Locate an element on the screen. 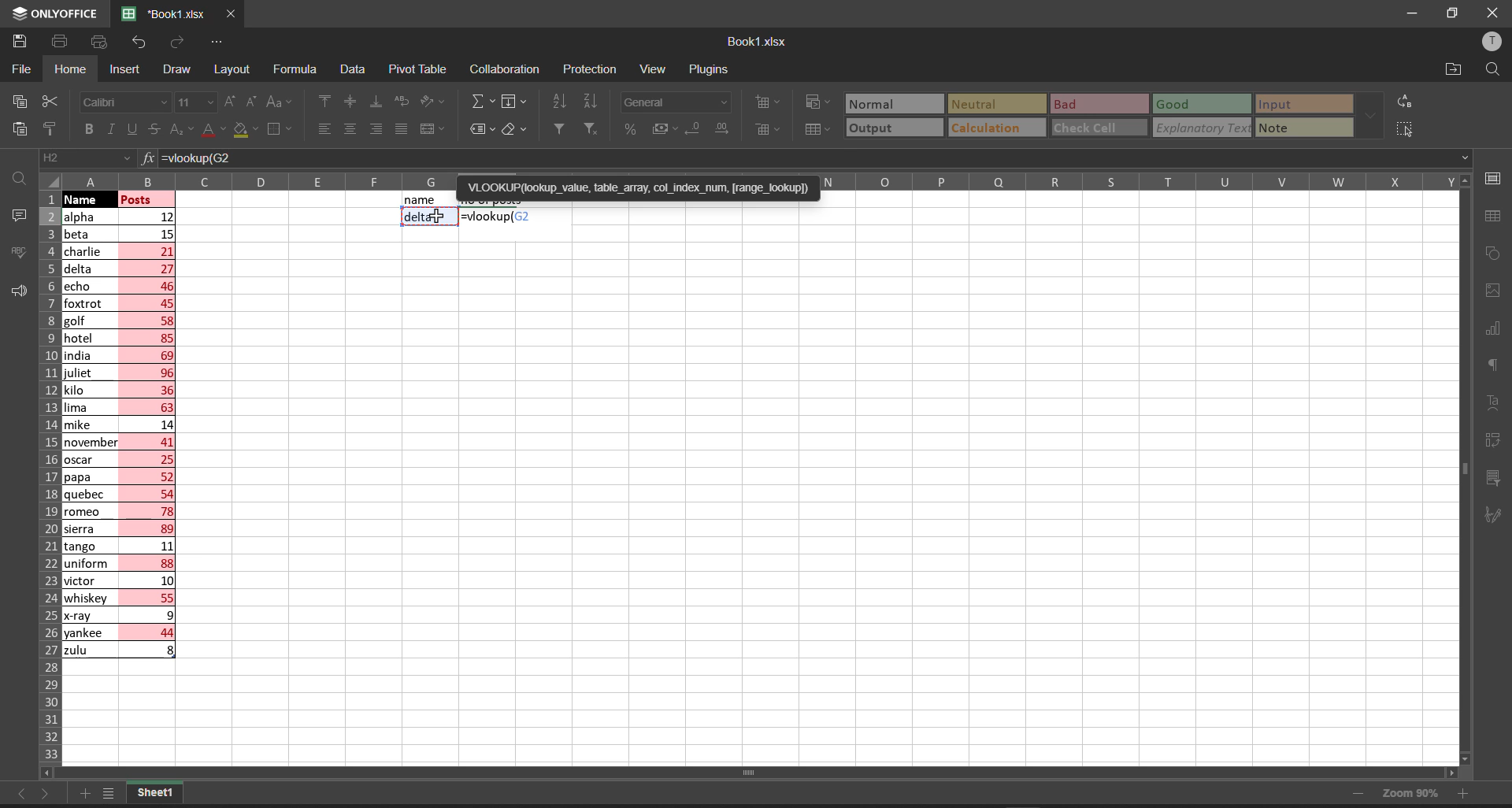 The height and width of the screenshot is (808, 1512). undo is located at coordinates (138, 45).